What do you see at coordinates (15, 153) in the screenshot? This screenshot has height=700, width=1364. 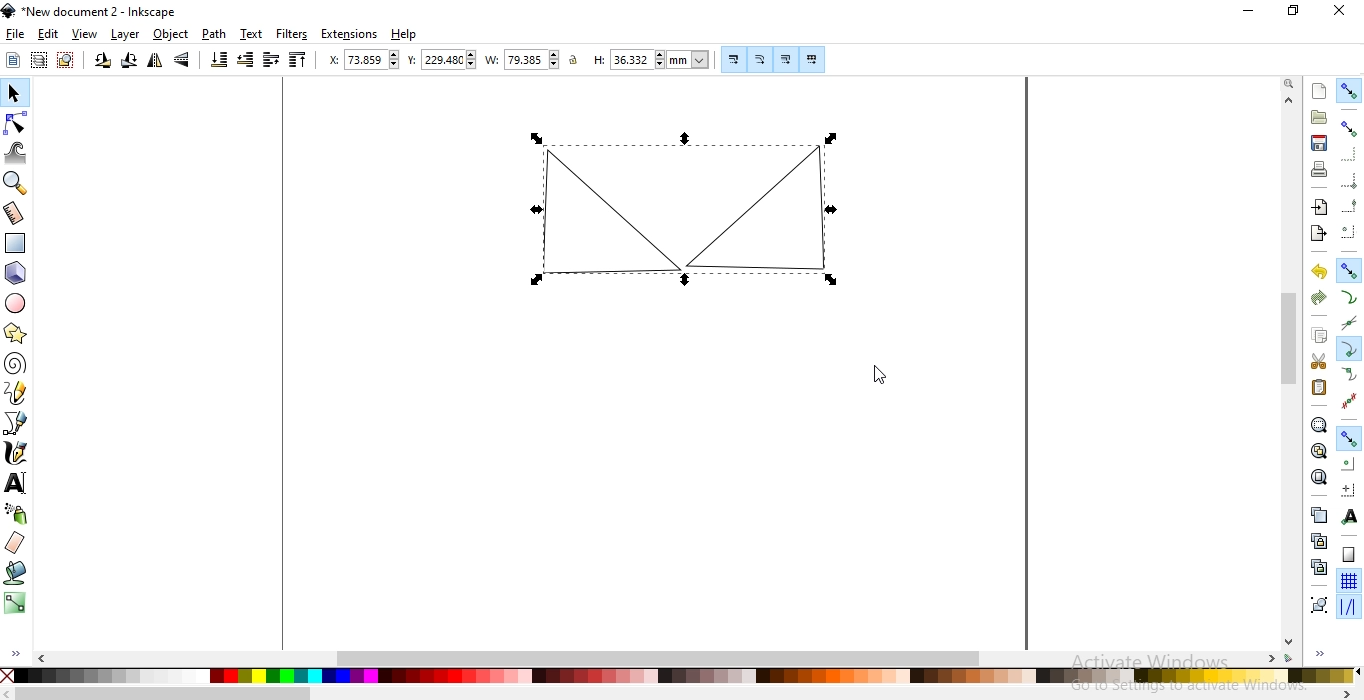 I see `tweak objects by sculpting or painting` at bounding box center [15, 153].